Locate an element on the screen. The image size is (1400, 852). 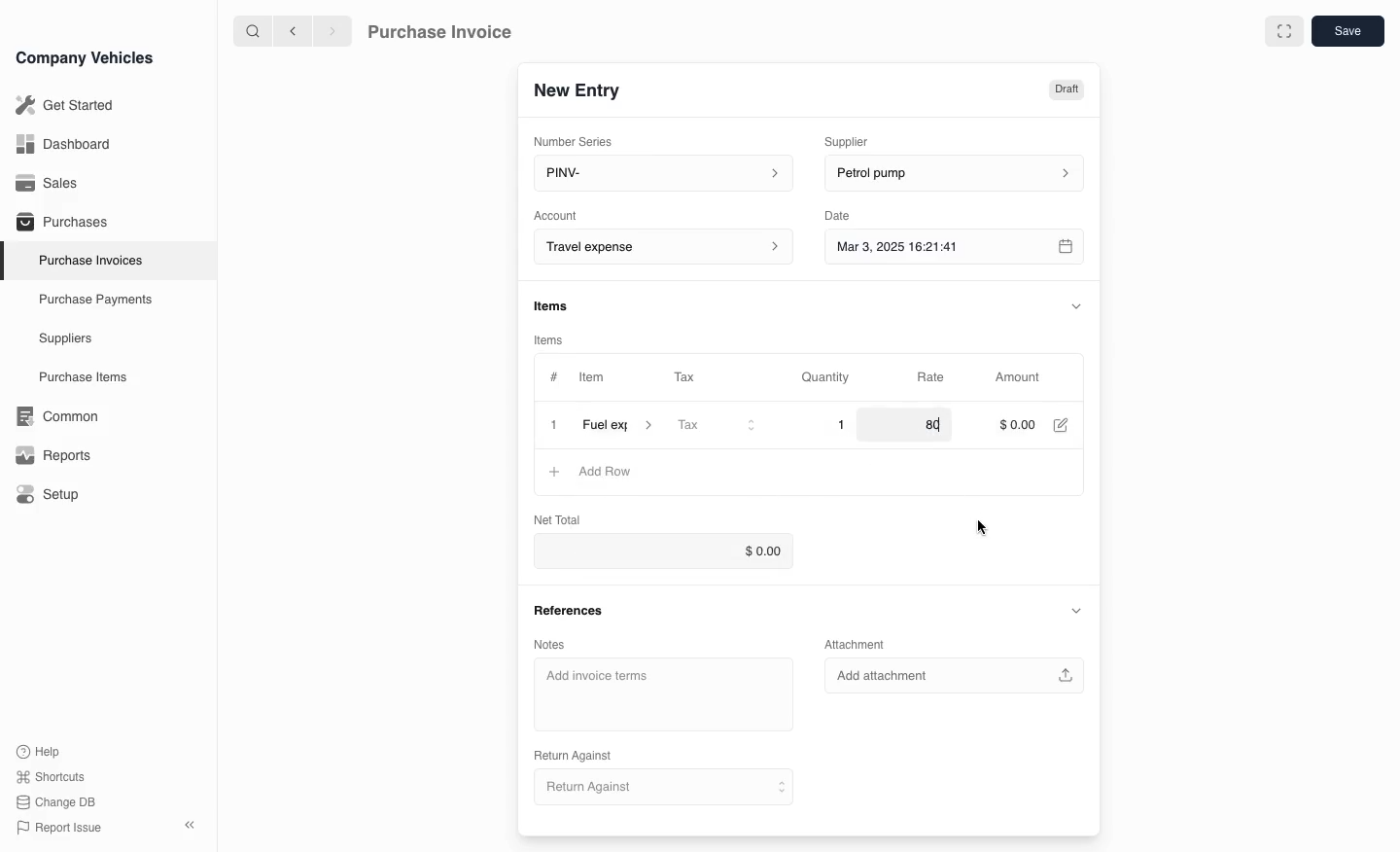
Quantity is located at coordinates (828, 377).